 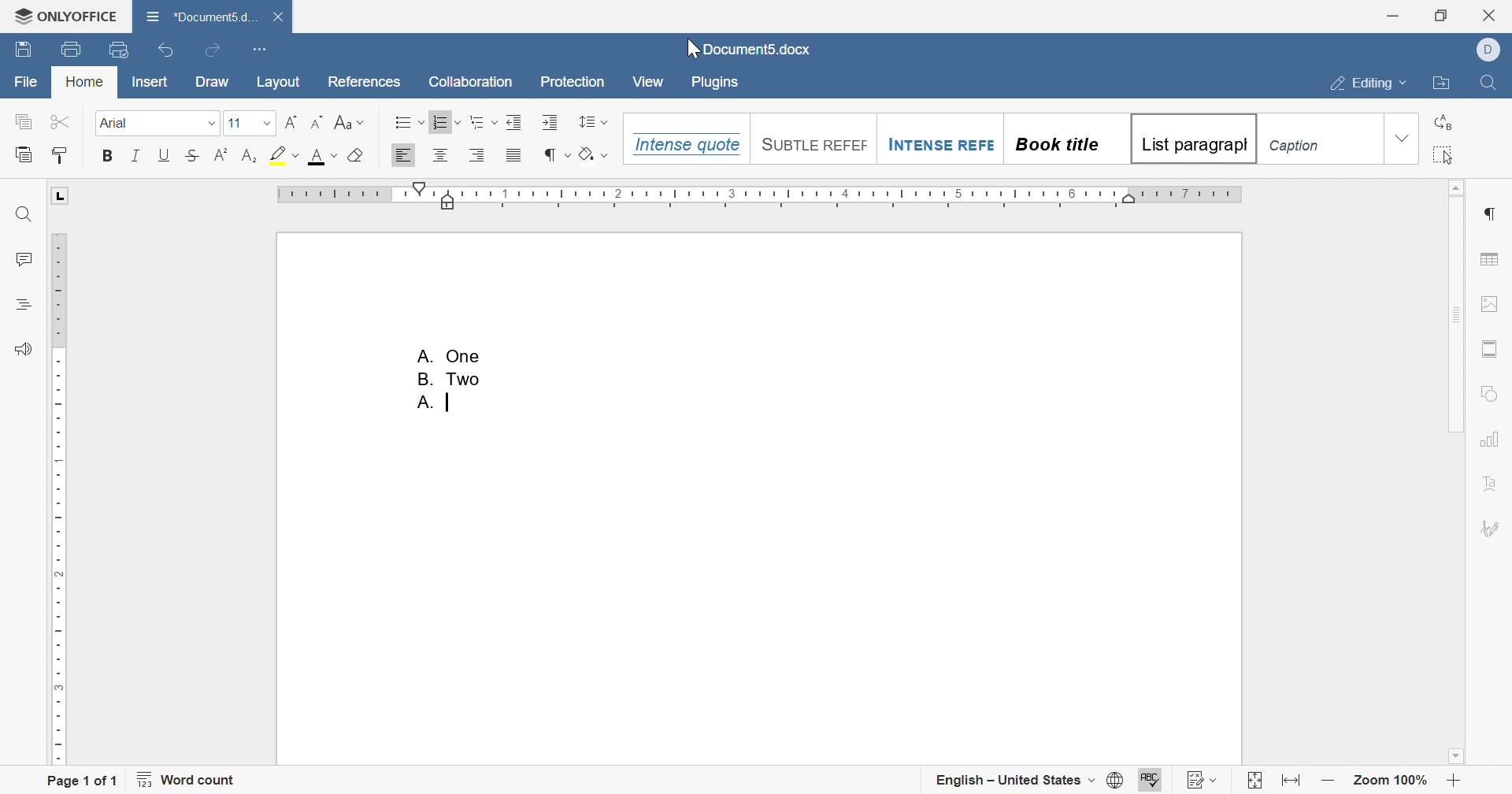 What do you see at coordinates (551, 122) in the screenshot?
I see `Increase indent` at bounding box center [551, 122].